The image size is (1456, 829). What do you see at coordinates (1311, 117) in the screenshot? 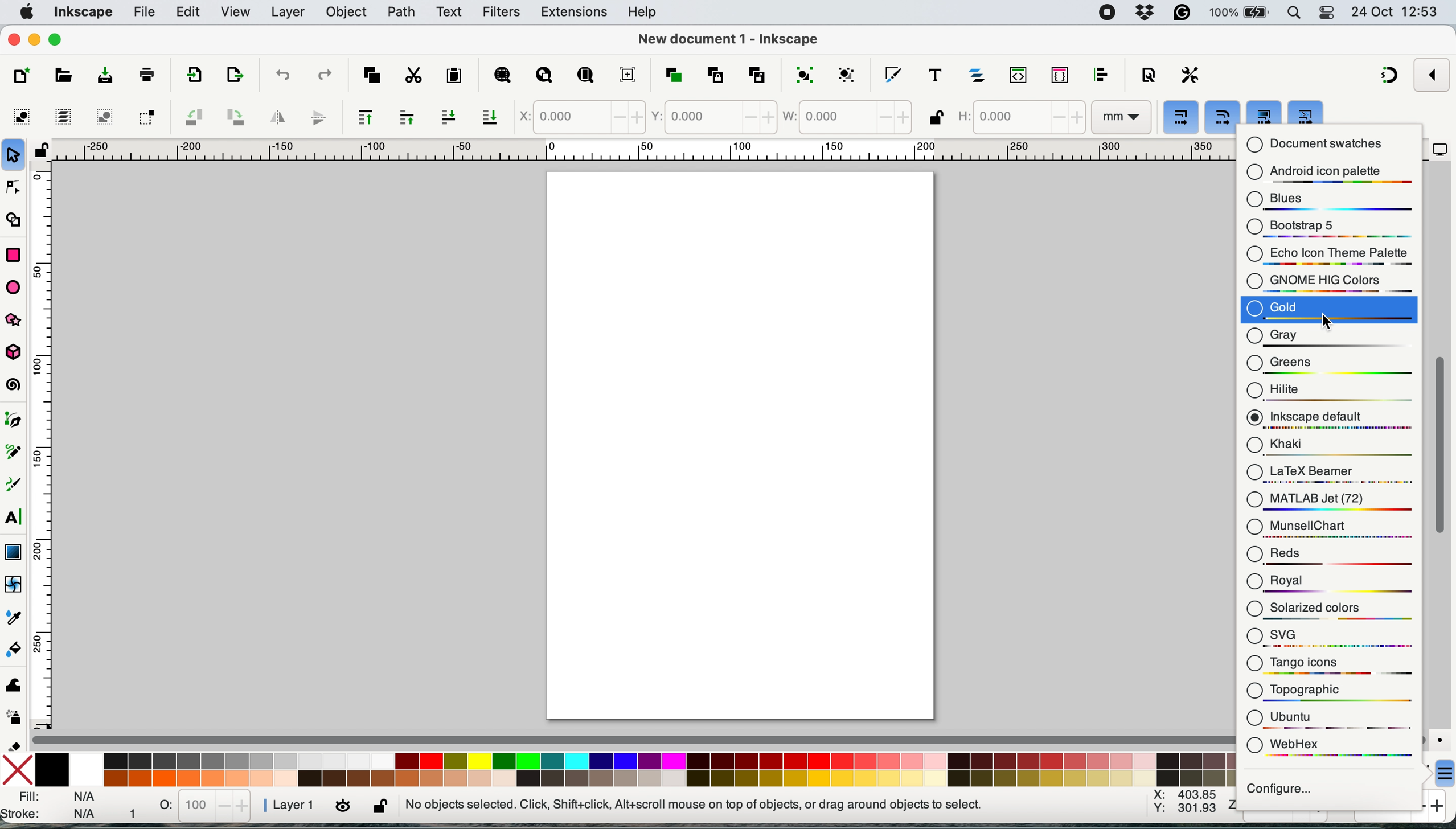
I see `move gradients` at bounding box center [1311, 117].